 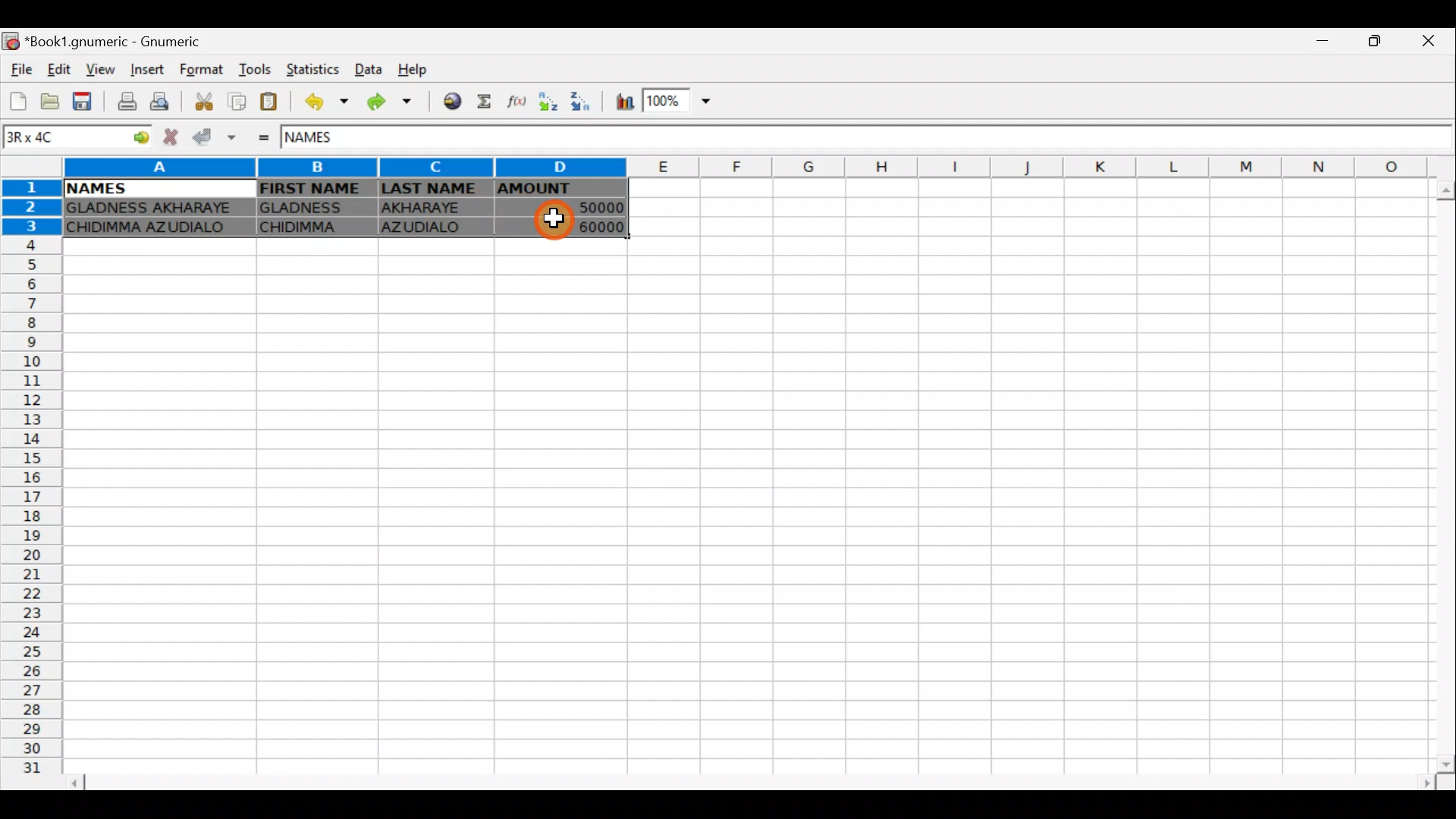 I want to click on Accept change, so click(x=212, y=137).